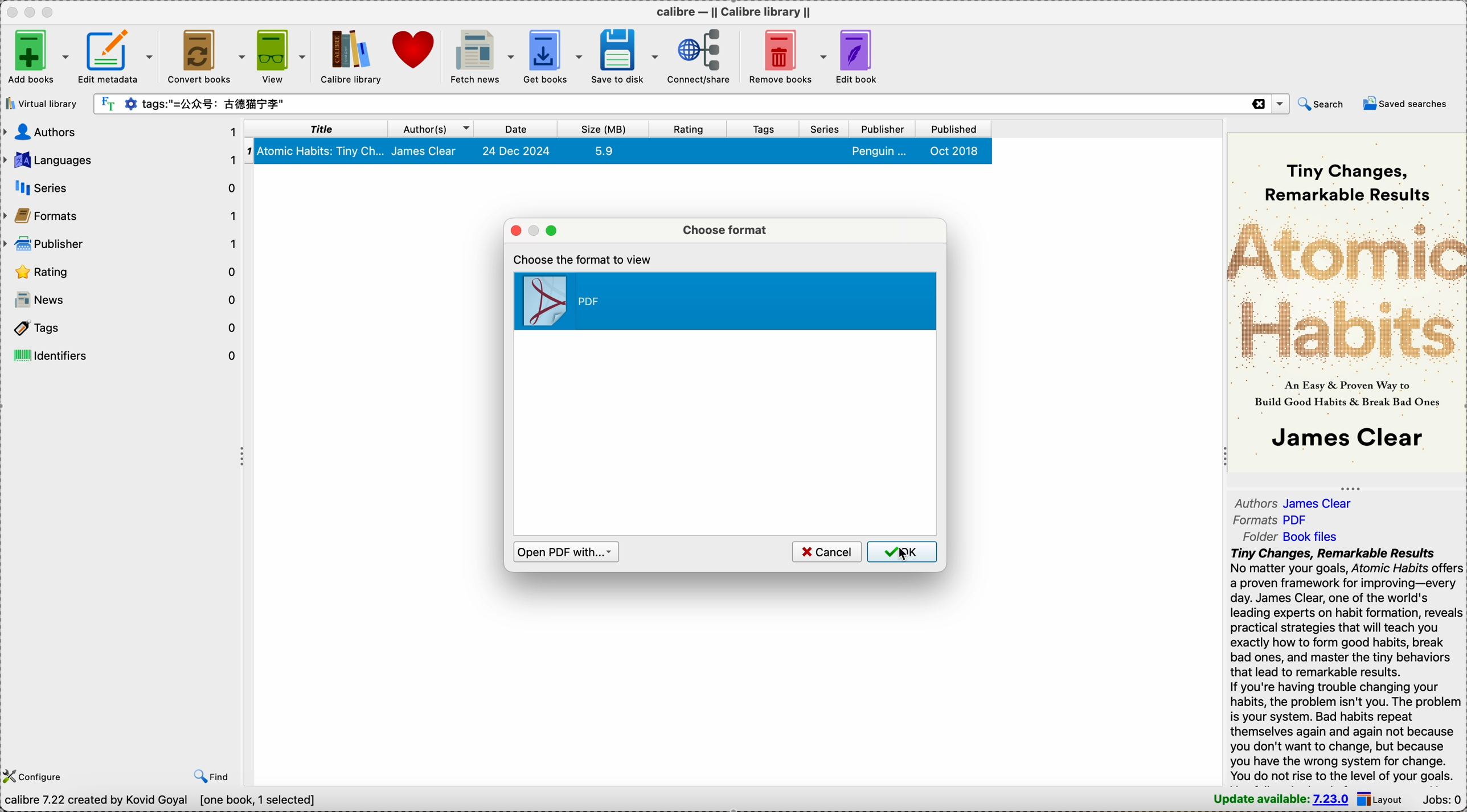 The height and width of the screenshot is (812, 1467). Describe the element at coordinates (826, 128) in the screenshot. I see `series` at that location.